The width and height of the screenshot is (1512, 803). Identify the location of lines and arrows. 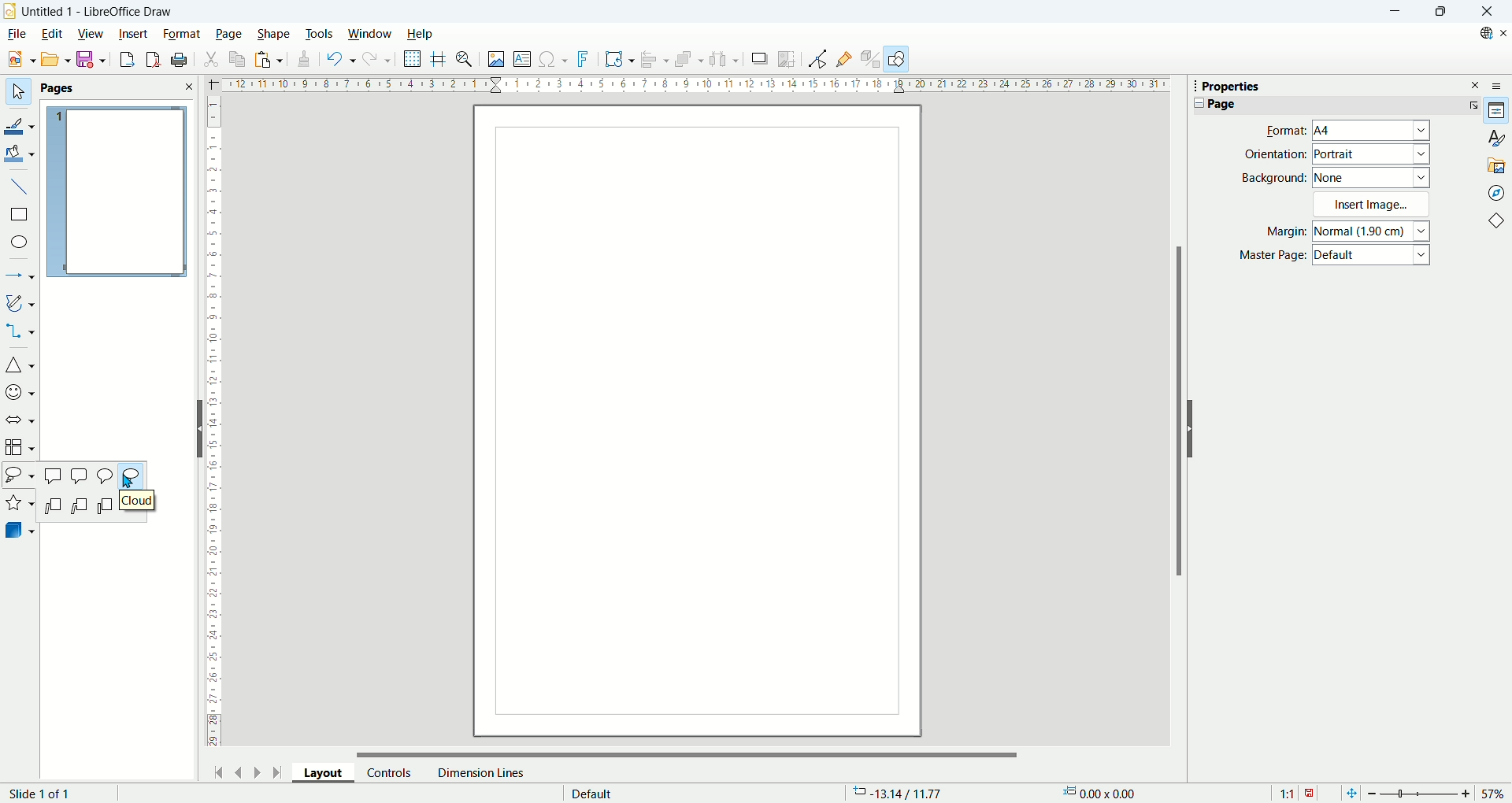
(20, 277).